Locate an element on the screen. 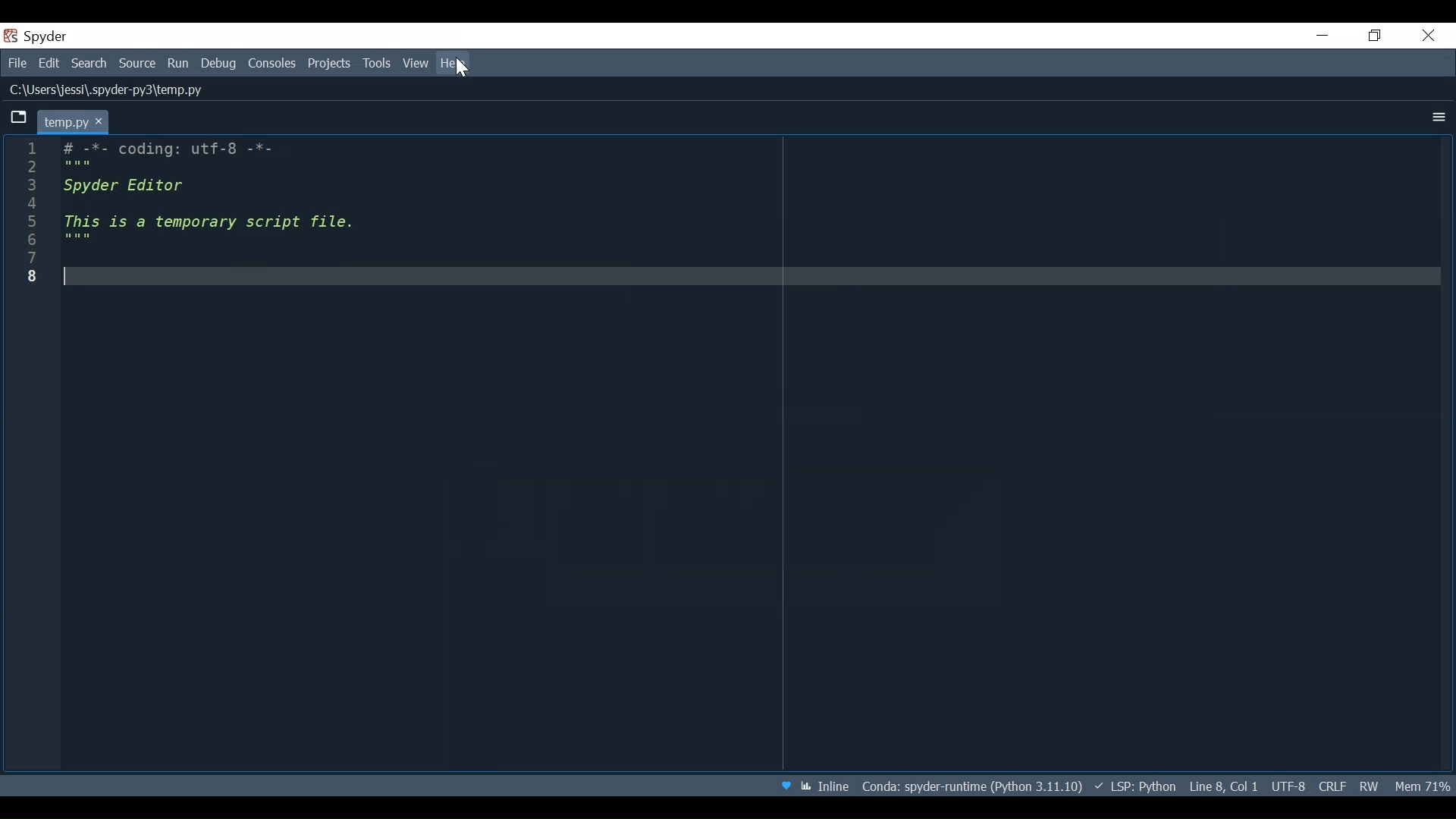  Current tab is located at coordinates (65, 121).